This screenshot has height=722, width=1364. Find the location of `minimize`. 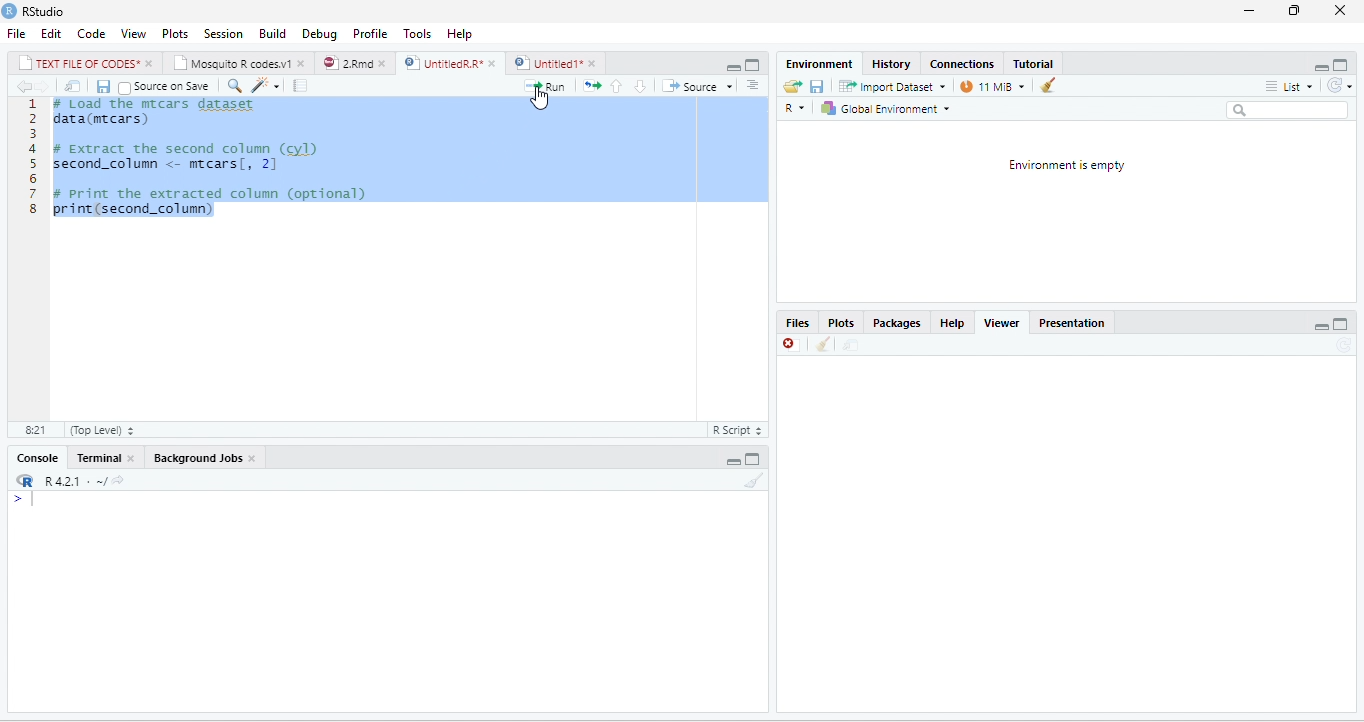

minimize is located at coordinates (1323, 64).